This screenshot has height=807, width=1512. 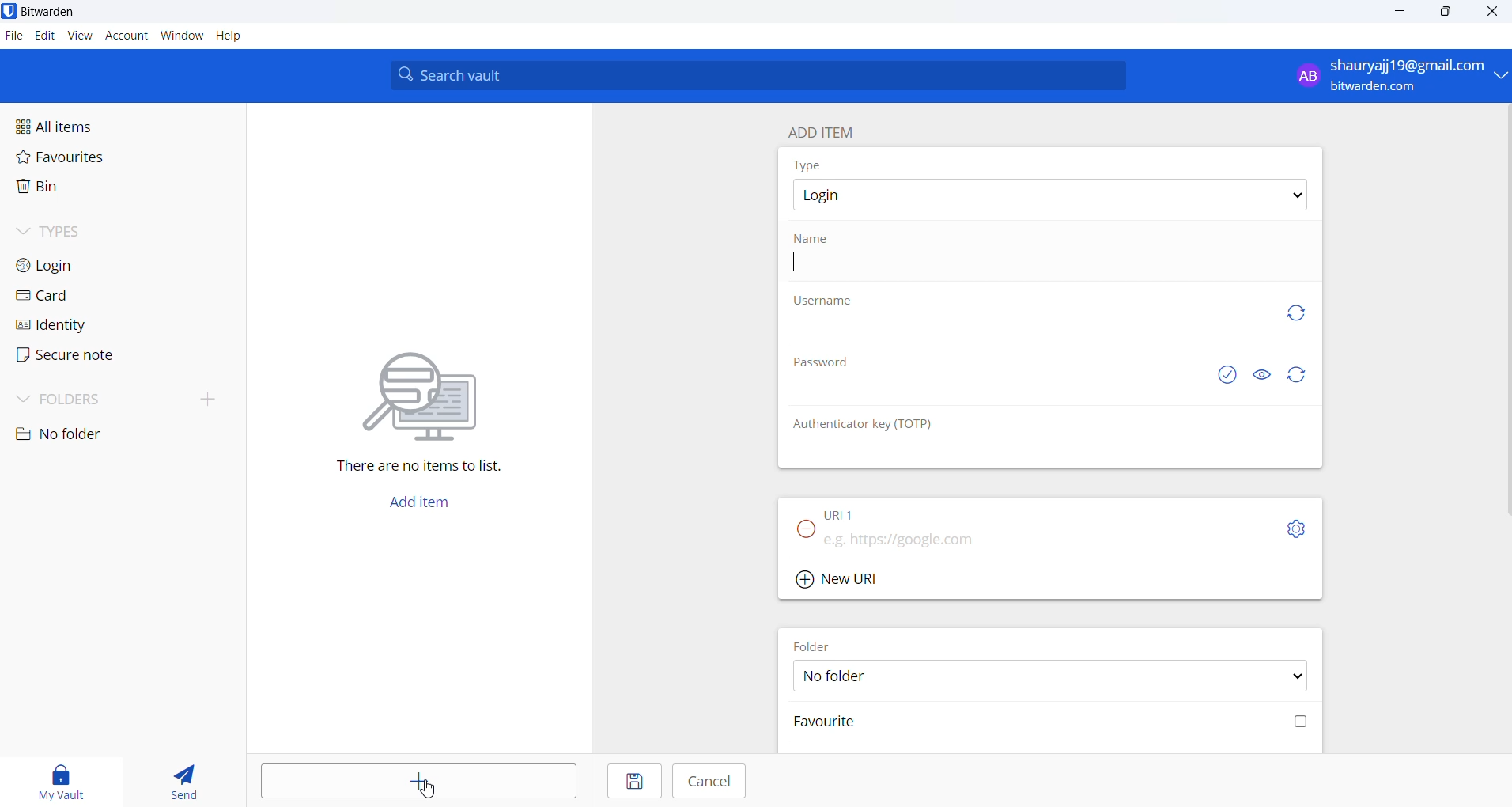 I want to click on There are no items to list, so click(x=427, y=468).